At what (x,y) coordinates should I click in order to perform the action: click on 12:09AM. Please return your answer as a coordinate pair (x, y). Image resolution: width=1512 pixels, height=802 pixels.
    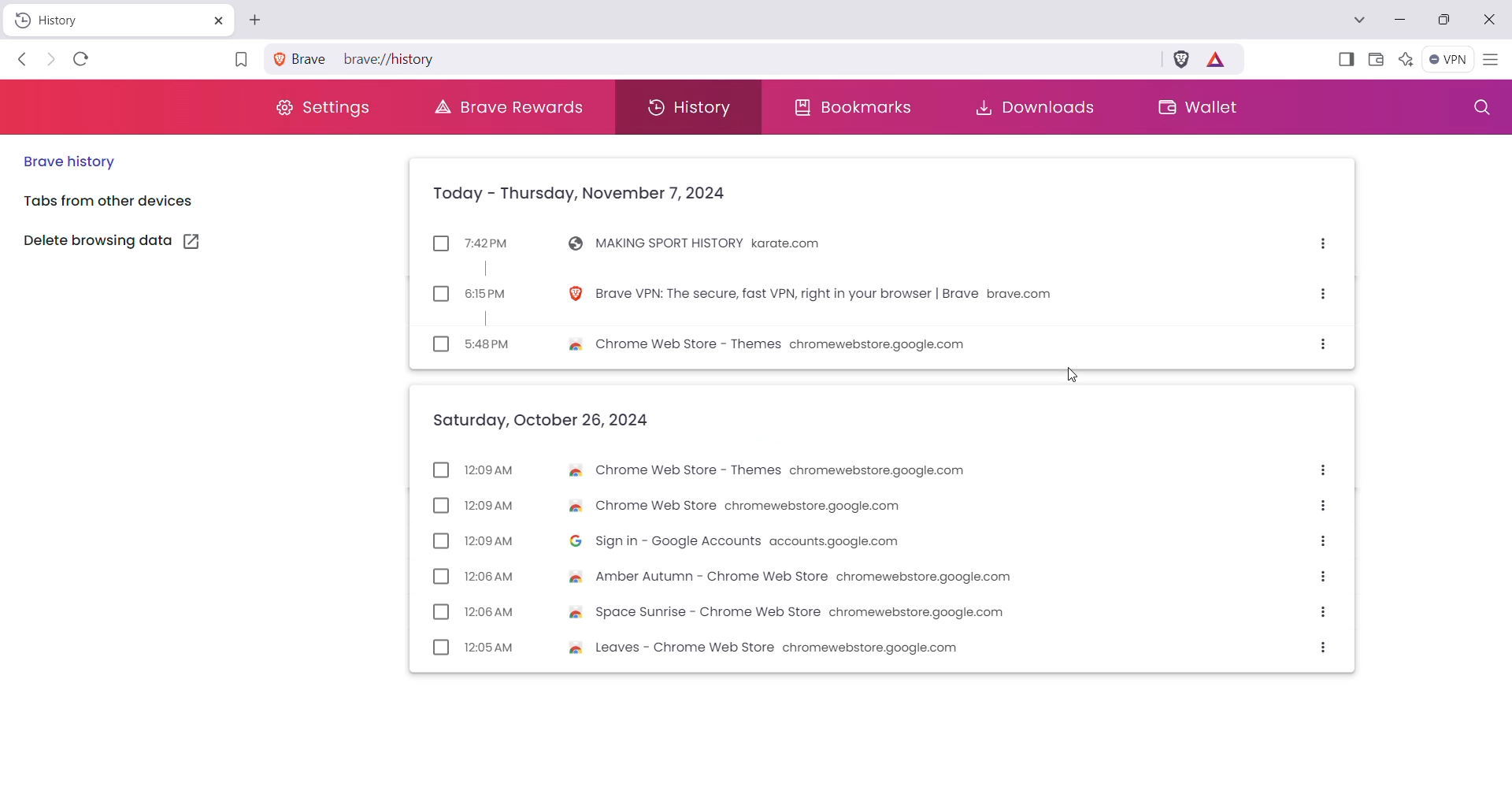
    Looking at the image, I should click on (493, 505).